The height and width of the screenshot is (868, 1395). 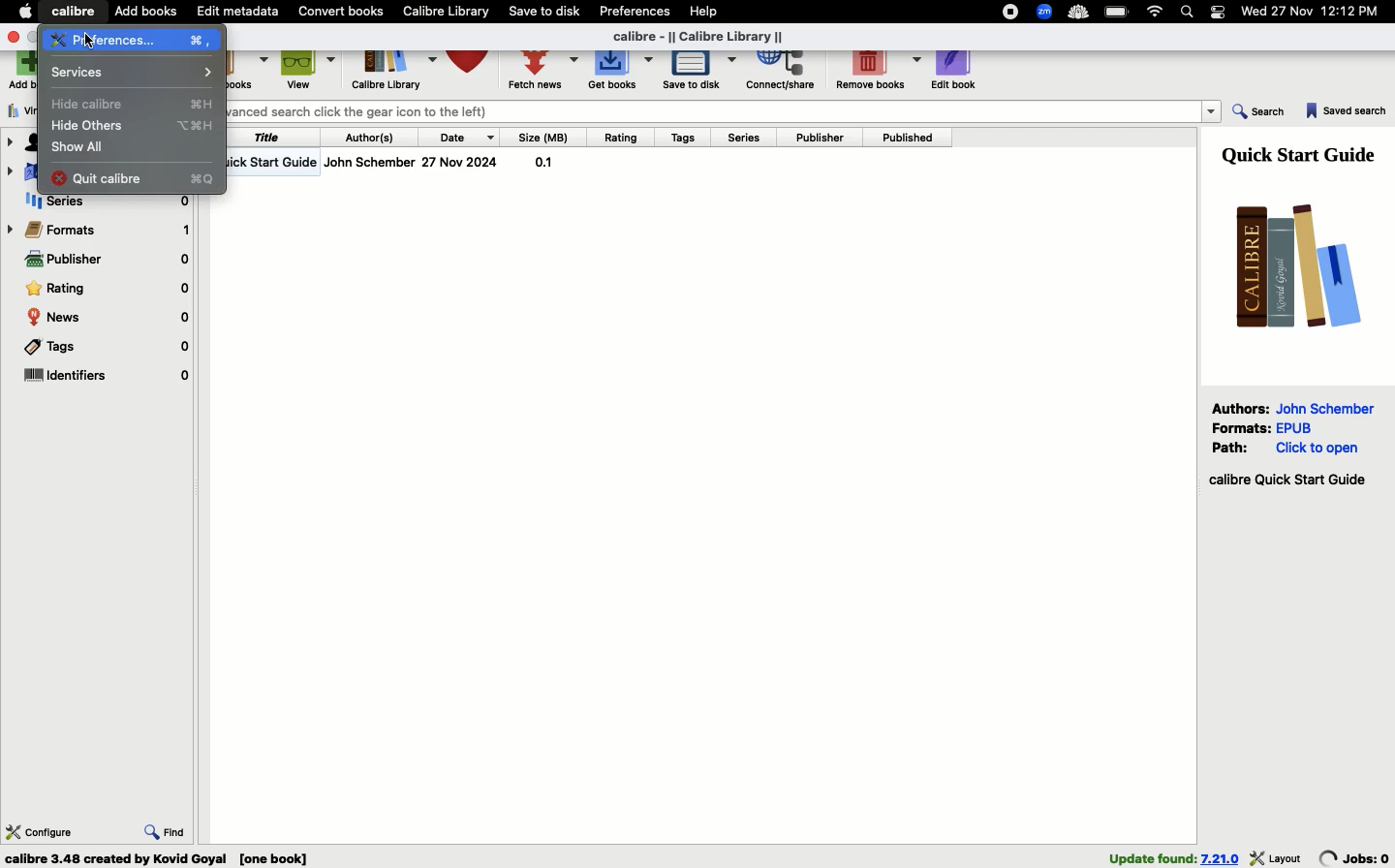 What do you see at coordinates (81, 146) in the screenshot?
I see `Show all` at bounding box center [81, 146].